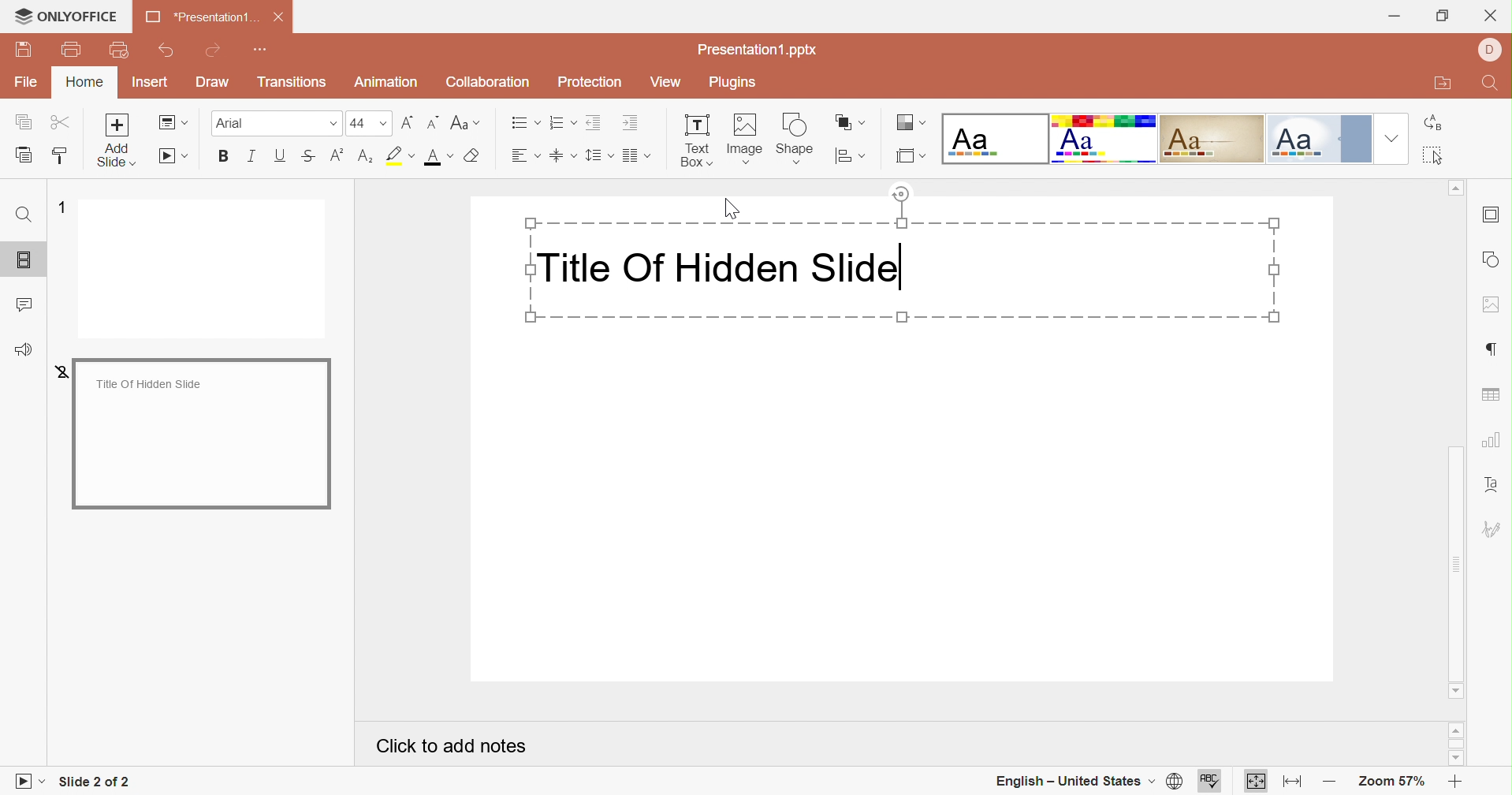  I want to click on Strikethrough, so click(307, 156).